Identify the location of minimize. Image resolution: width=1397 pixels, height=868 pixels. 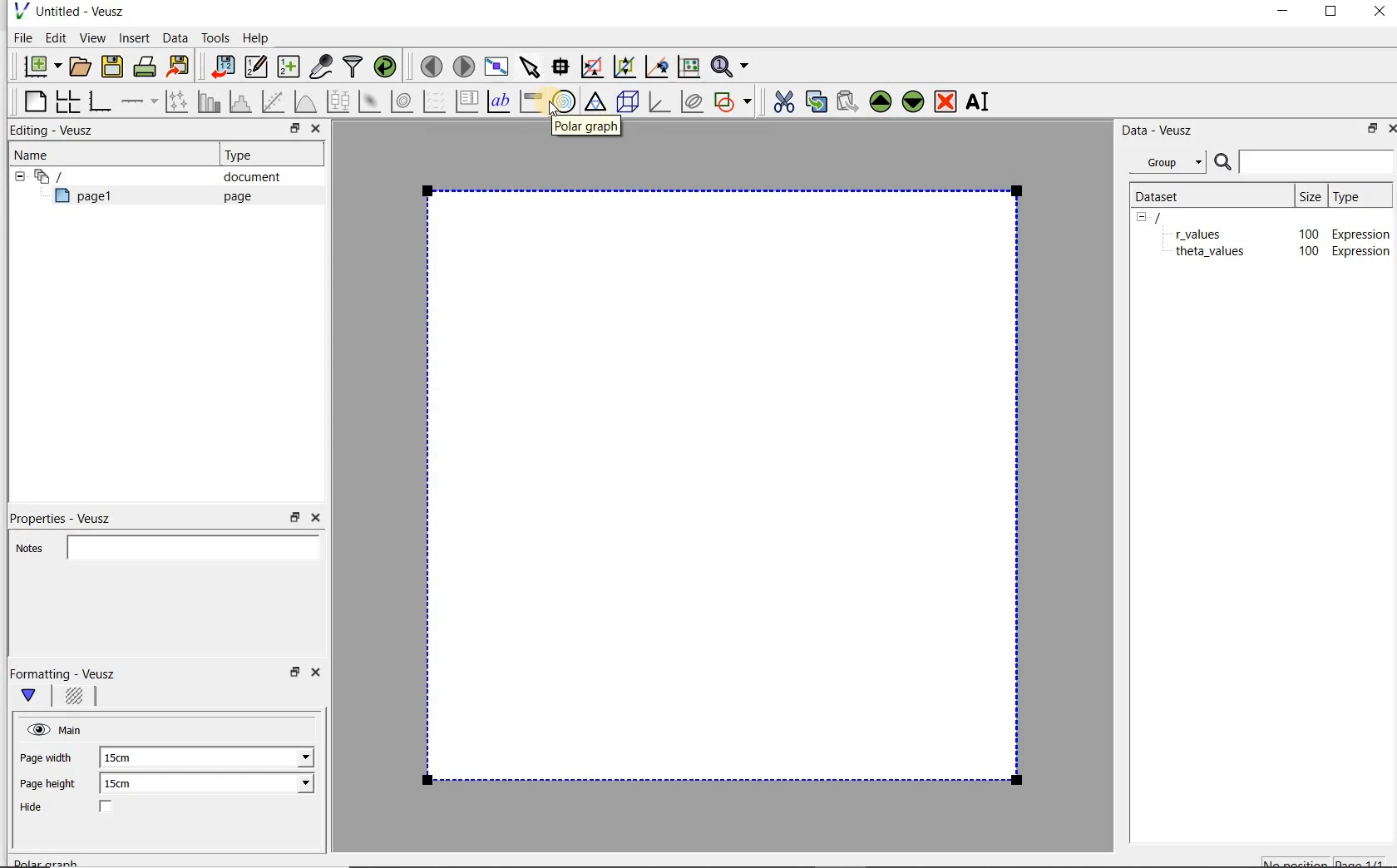
(1281, 13).